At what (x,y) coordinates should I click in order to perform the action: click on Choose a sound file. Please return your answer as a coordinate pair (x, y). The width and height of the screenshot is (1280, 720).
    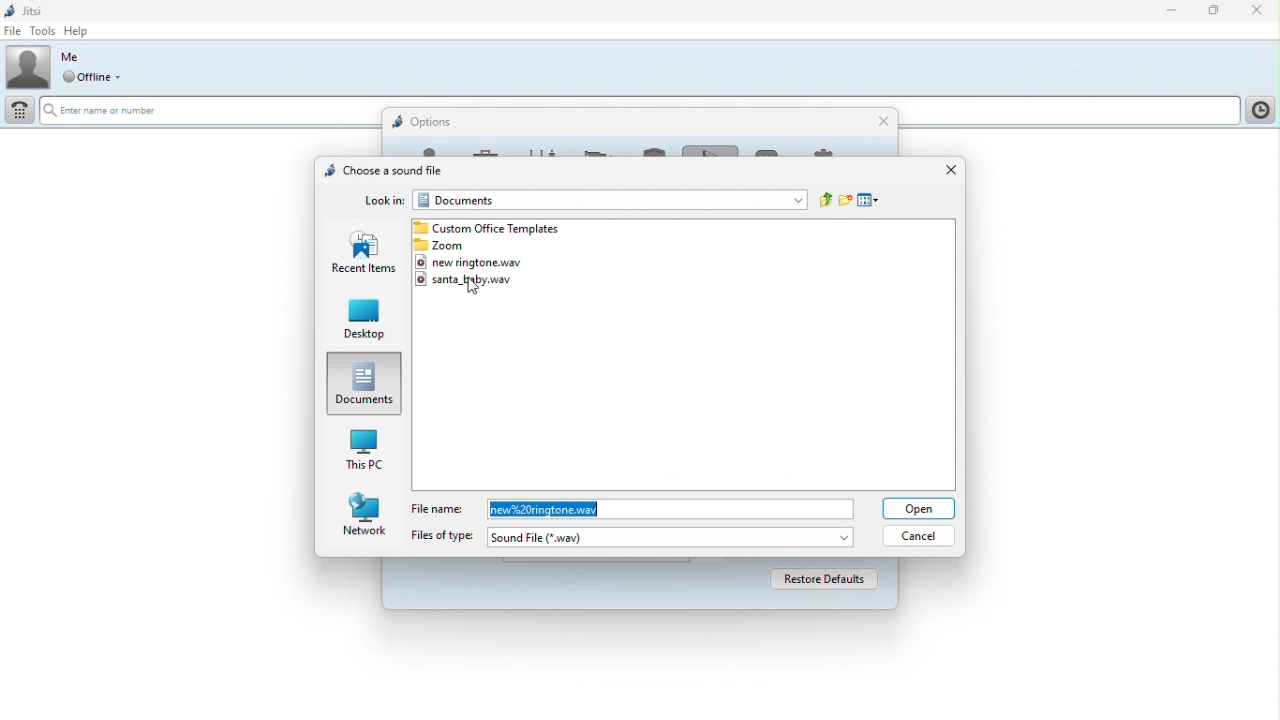
    Looking at the image, I should click on (380, 169).